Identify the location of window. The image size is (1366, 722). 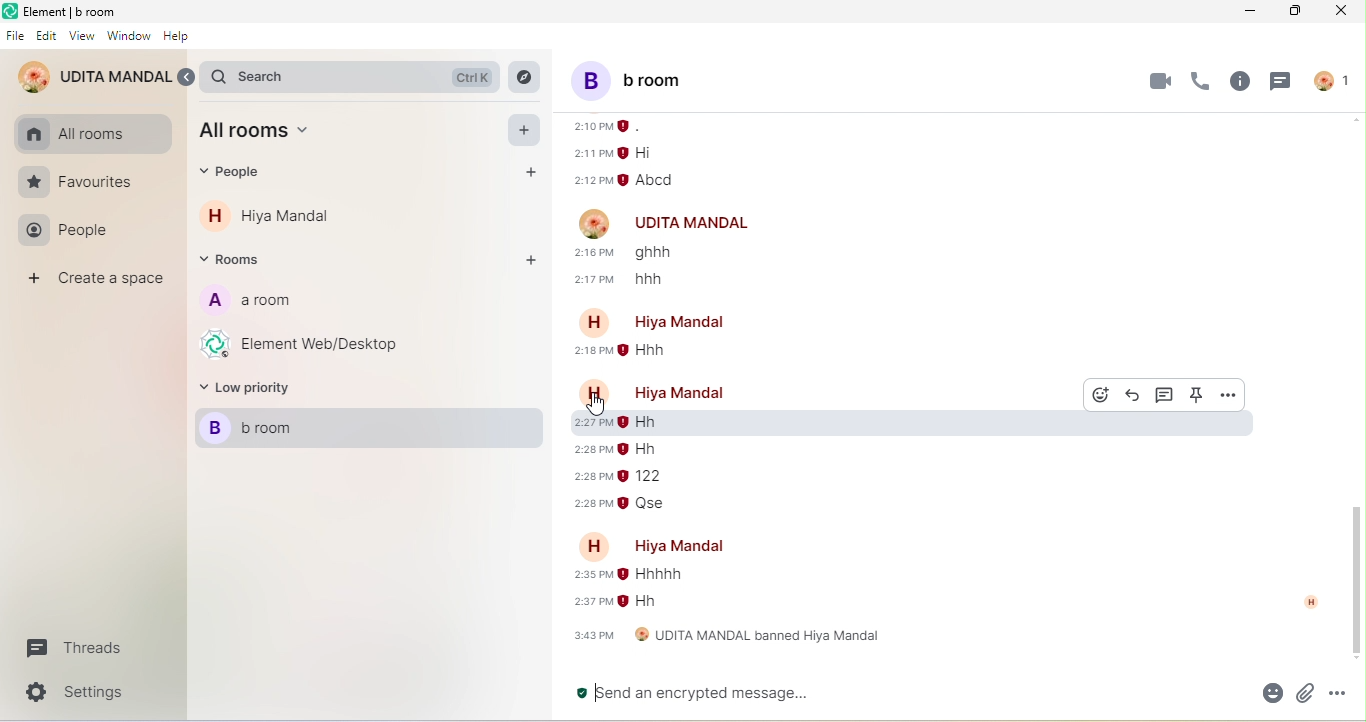
(130, 38).